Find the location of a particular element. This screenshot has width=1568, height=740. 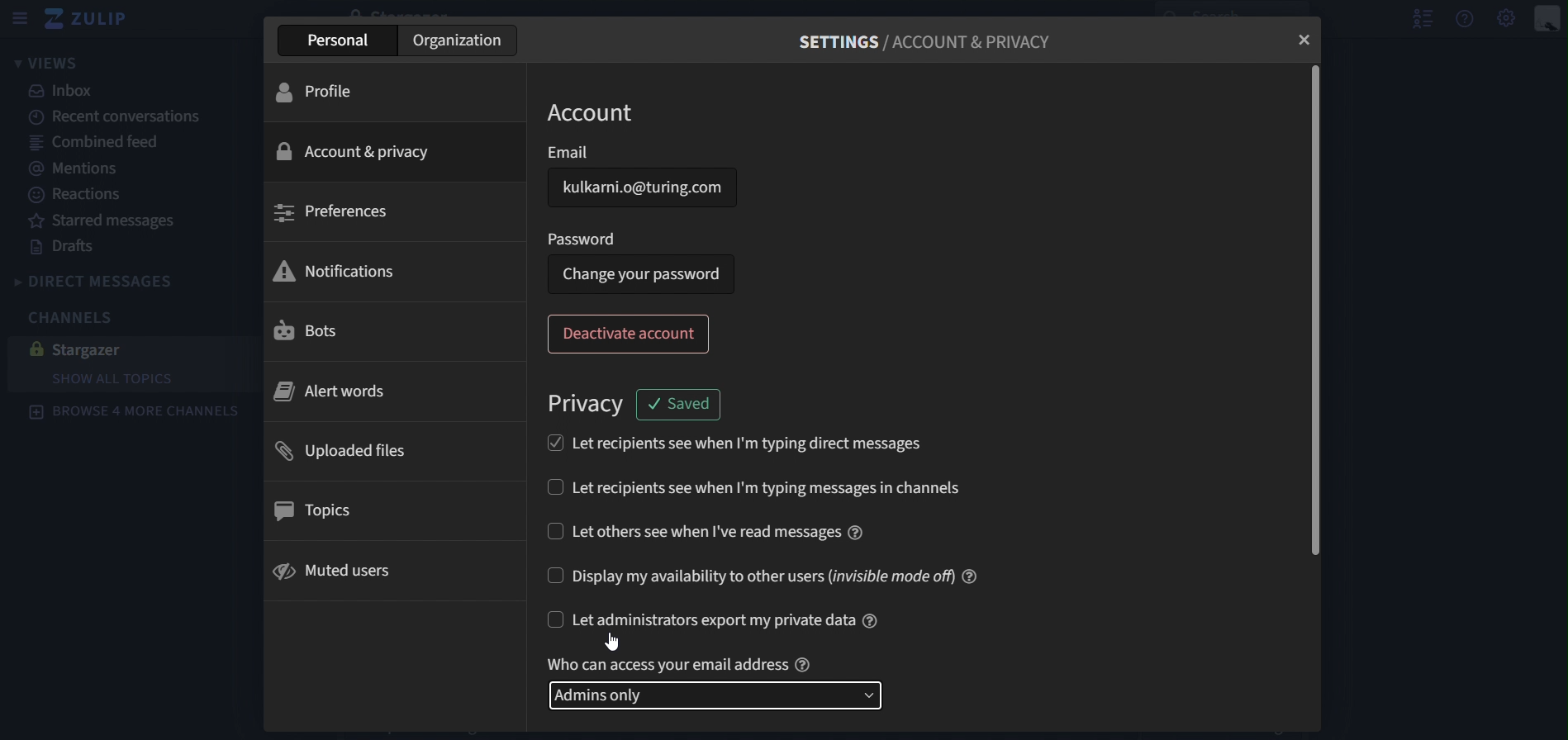

mentions is located at coordinates (91, 172).